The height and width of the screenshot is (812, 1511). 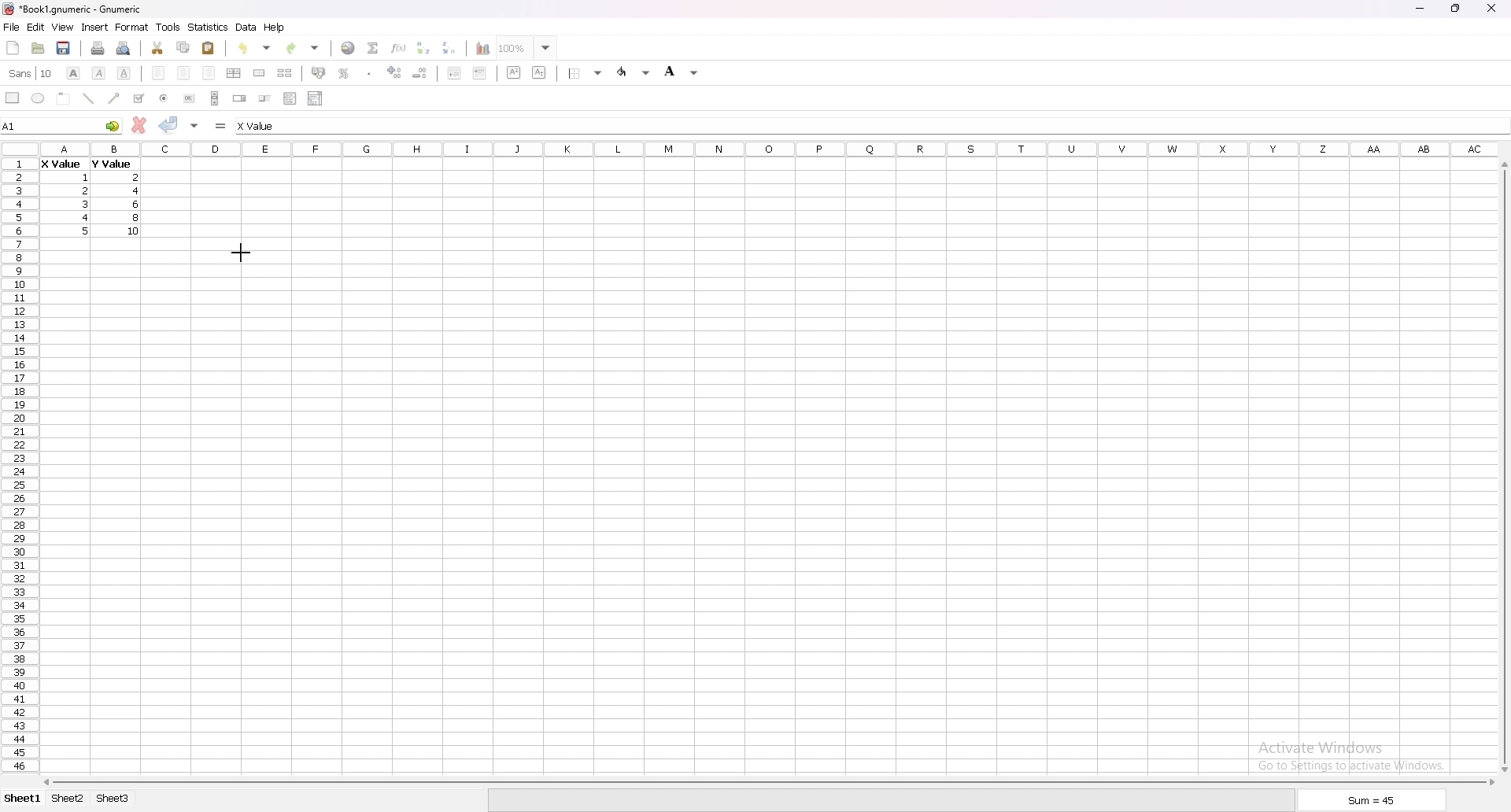 What do you see at coordinates (88, 98) in the screenshot?
I see `line` at bounding box center [88, 98].